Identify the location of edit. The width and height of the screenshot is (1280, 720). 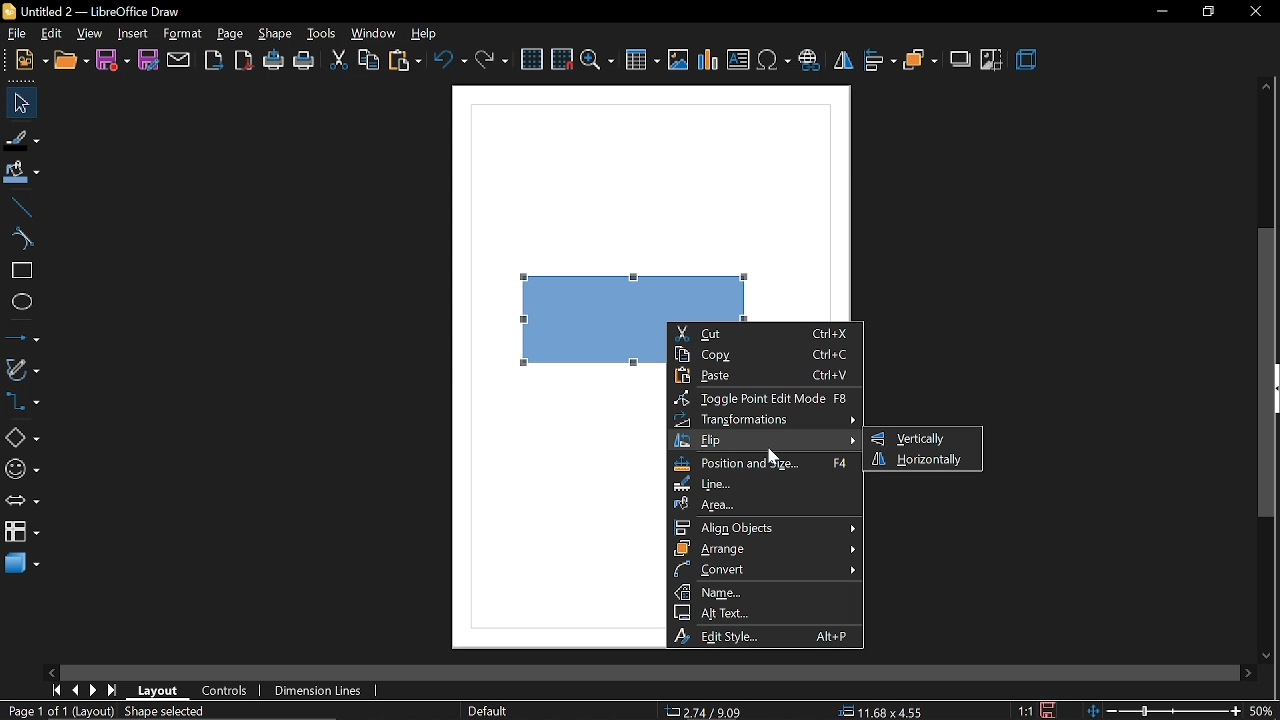
(51, 34).